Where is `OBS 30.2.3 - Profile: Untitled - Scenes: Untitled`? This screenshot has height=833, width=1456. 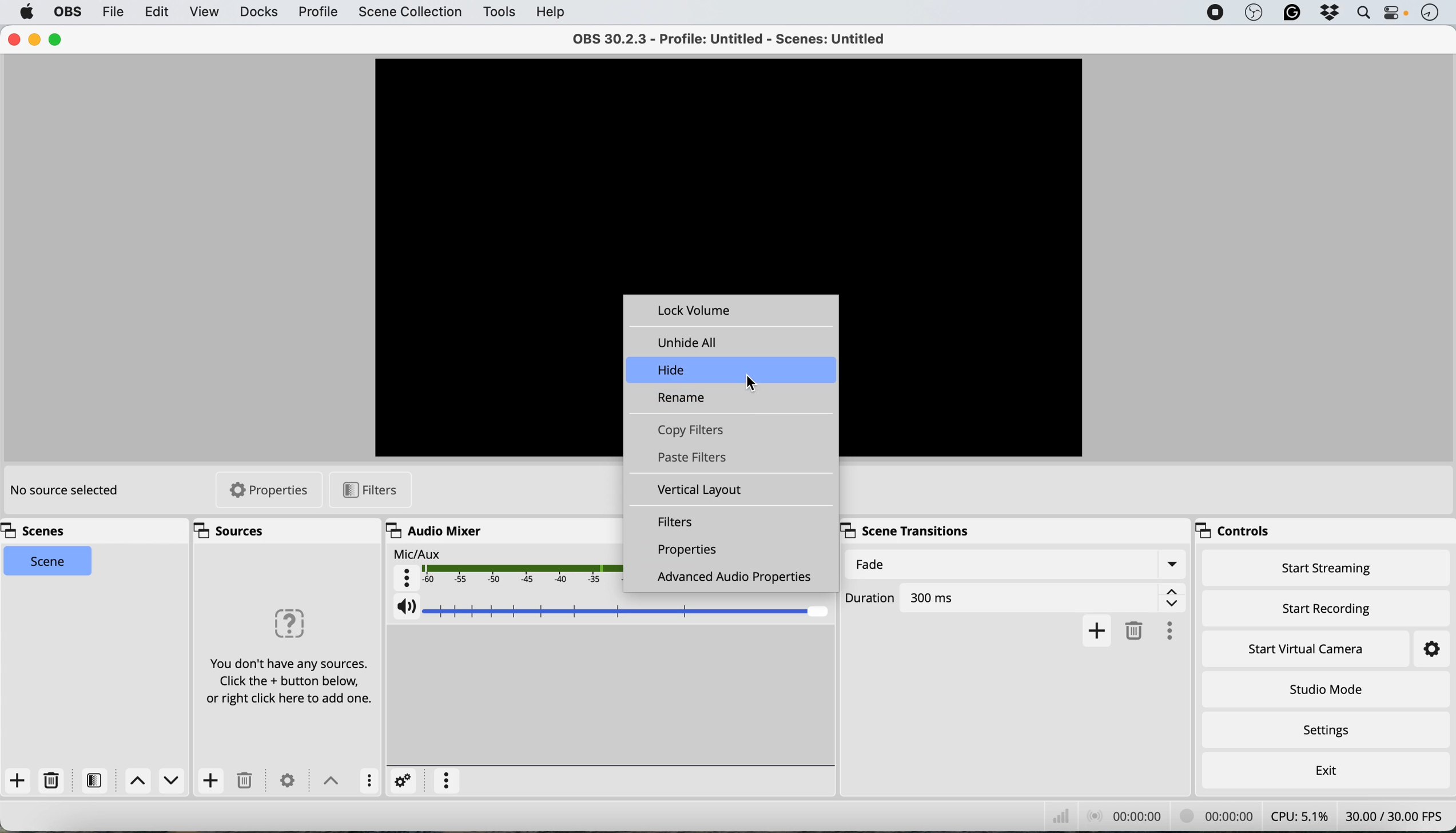
OBS 30.2.3 - Profile: Untitled - Scenes: Untitled is located at coordinates (726, 39).